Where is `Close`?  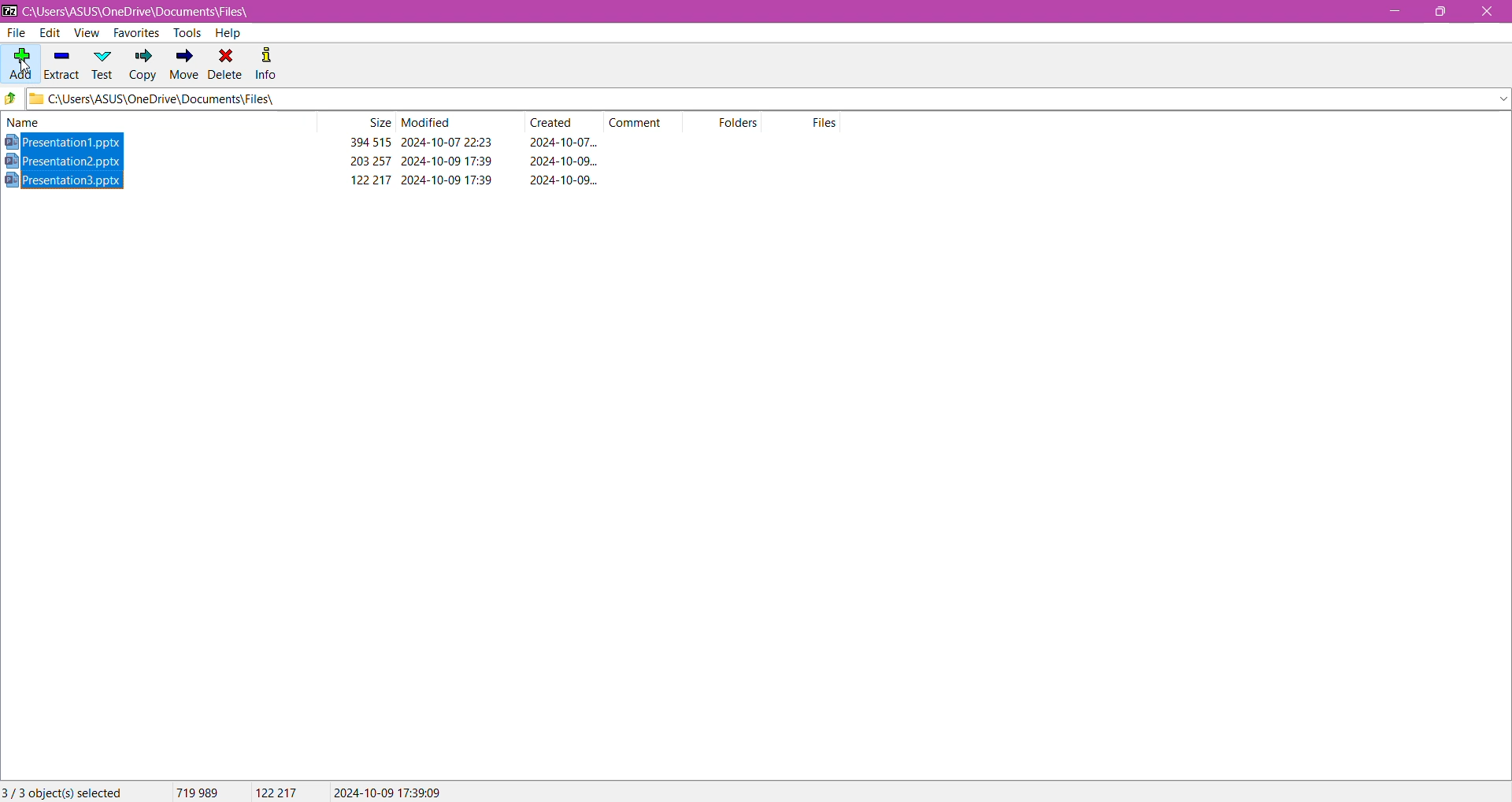 Close is located at coordinates (1487, 13).